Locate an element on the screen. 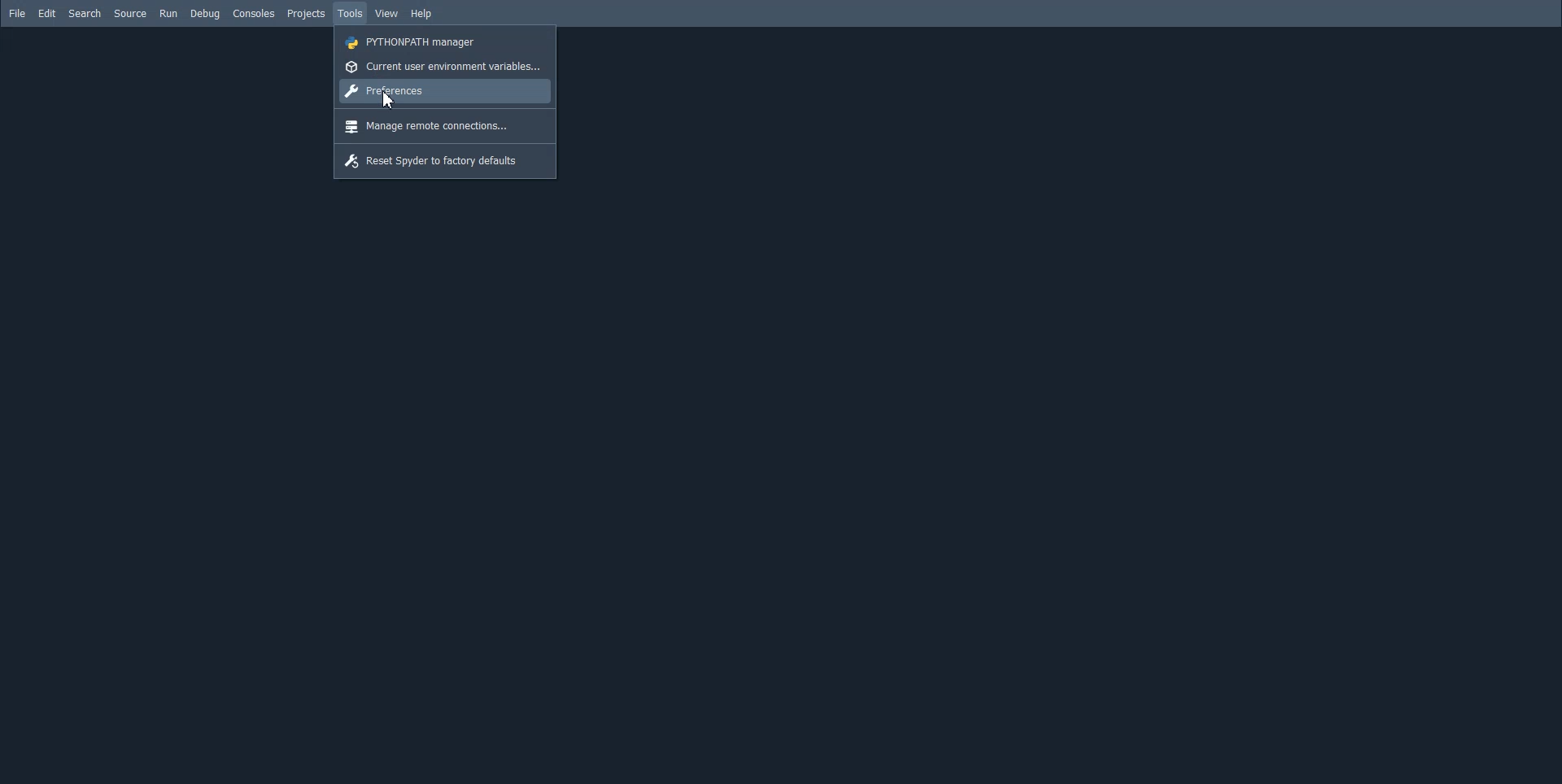  Tools is located at coordinates (350, 14).